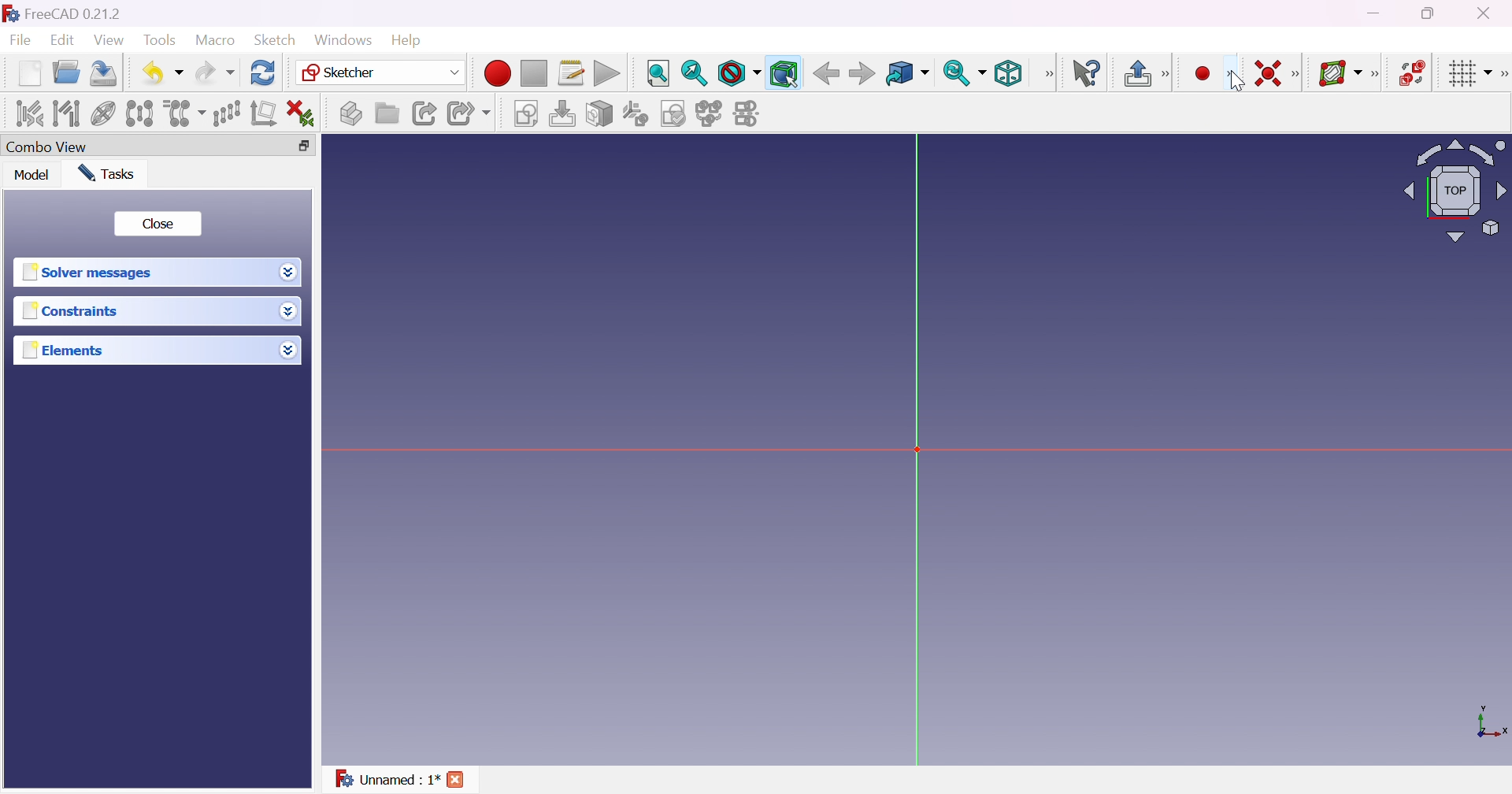 The image size is (1512, 794). Describe the element at coordinates (862, 74) in the screenshot. I see `Forward` at that location.